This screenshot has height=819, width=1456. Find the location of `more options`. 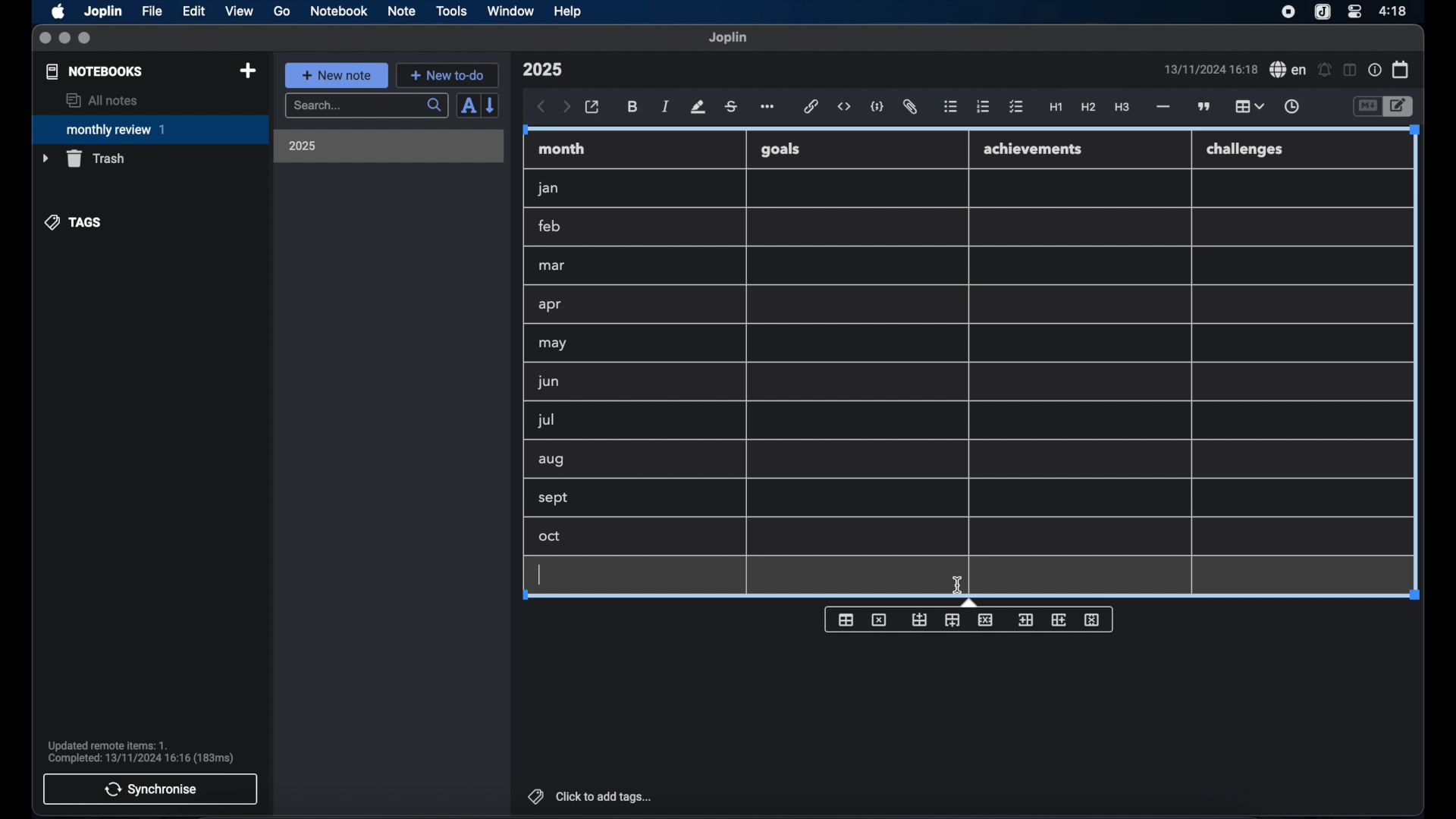

more options is located at coordinates (769, 108).